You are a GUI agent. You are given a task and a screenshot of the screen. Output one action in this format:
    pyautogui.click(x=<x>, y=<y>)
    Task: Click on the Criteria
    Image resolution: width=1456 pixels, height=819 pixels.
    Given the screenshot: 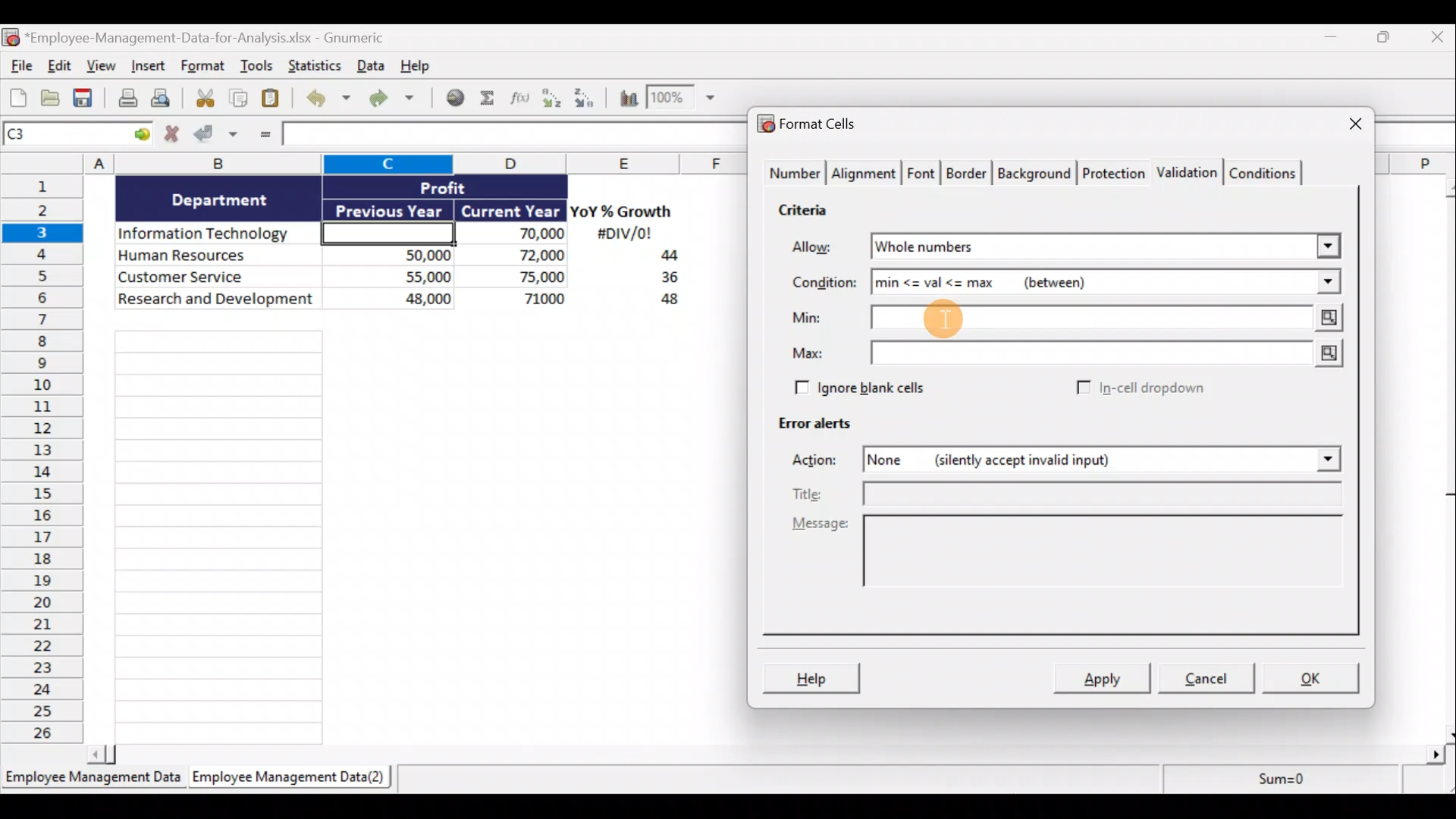 What is the action you would take?
    pyautogui.click(x=805, y=212)
    